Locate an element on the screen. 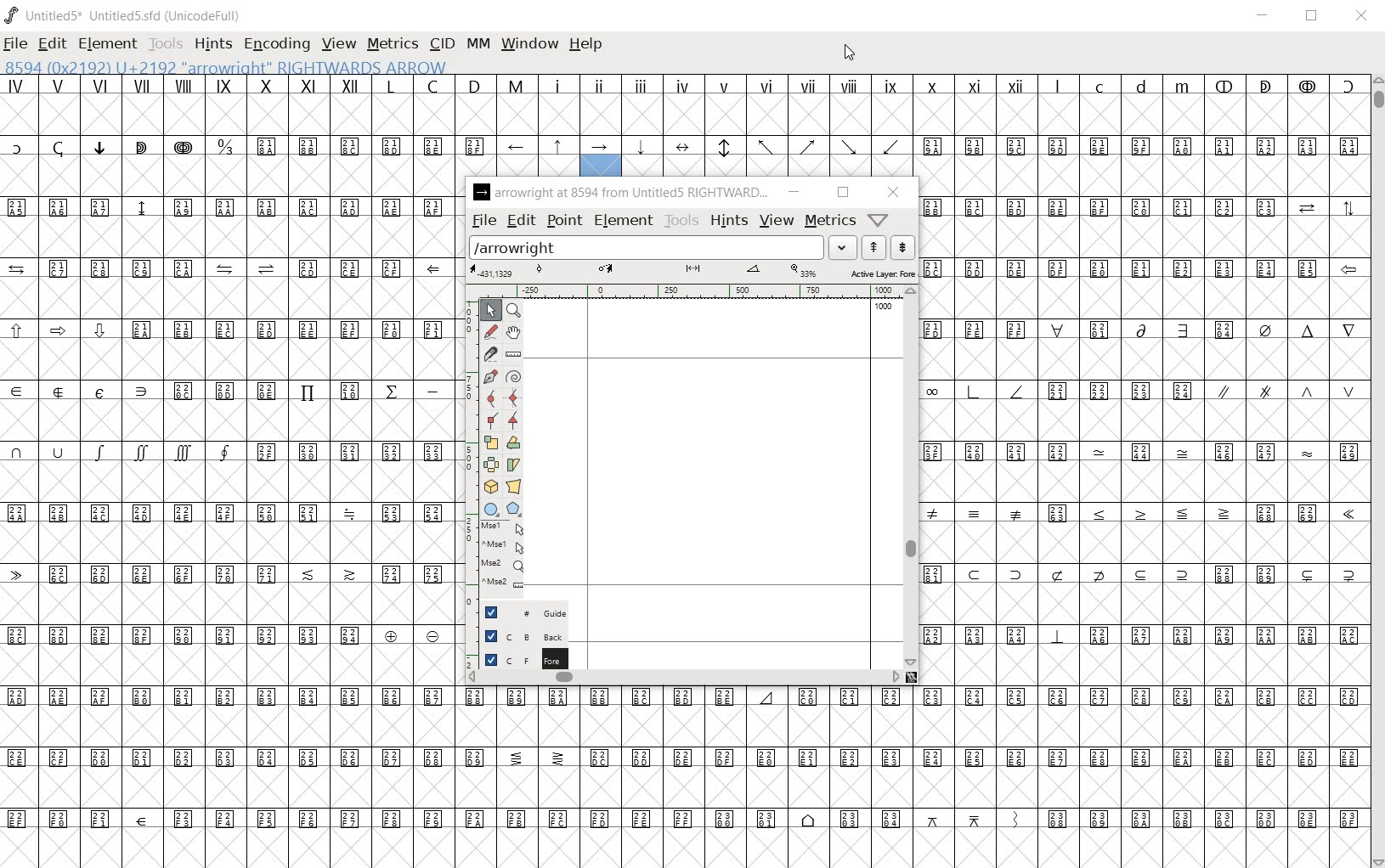  Untitled5* Untitled5.sfd (UnicodeFull) is located at coordinates (126, 15).